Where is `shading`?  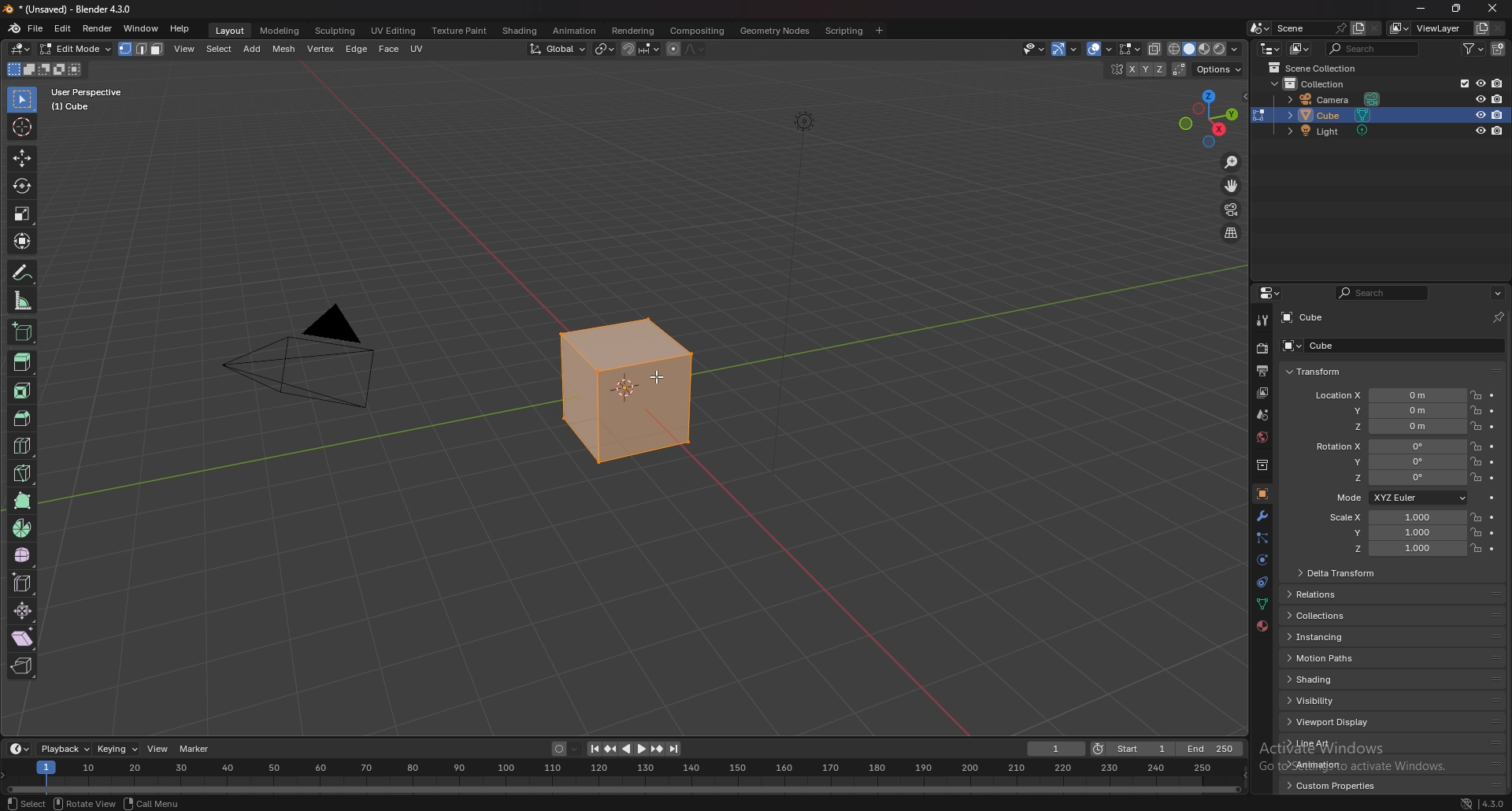
shading is located at coordinates (1343, 679).